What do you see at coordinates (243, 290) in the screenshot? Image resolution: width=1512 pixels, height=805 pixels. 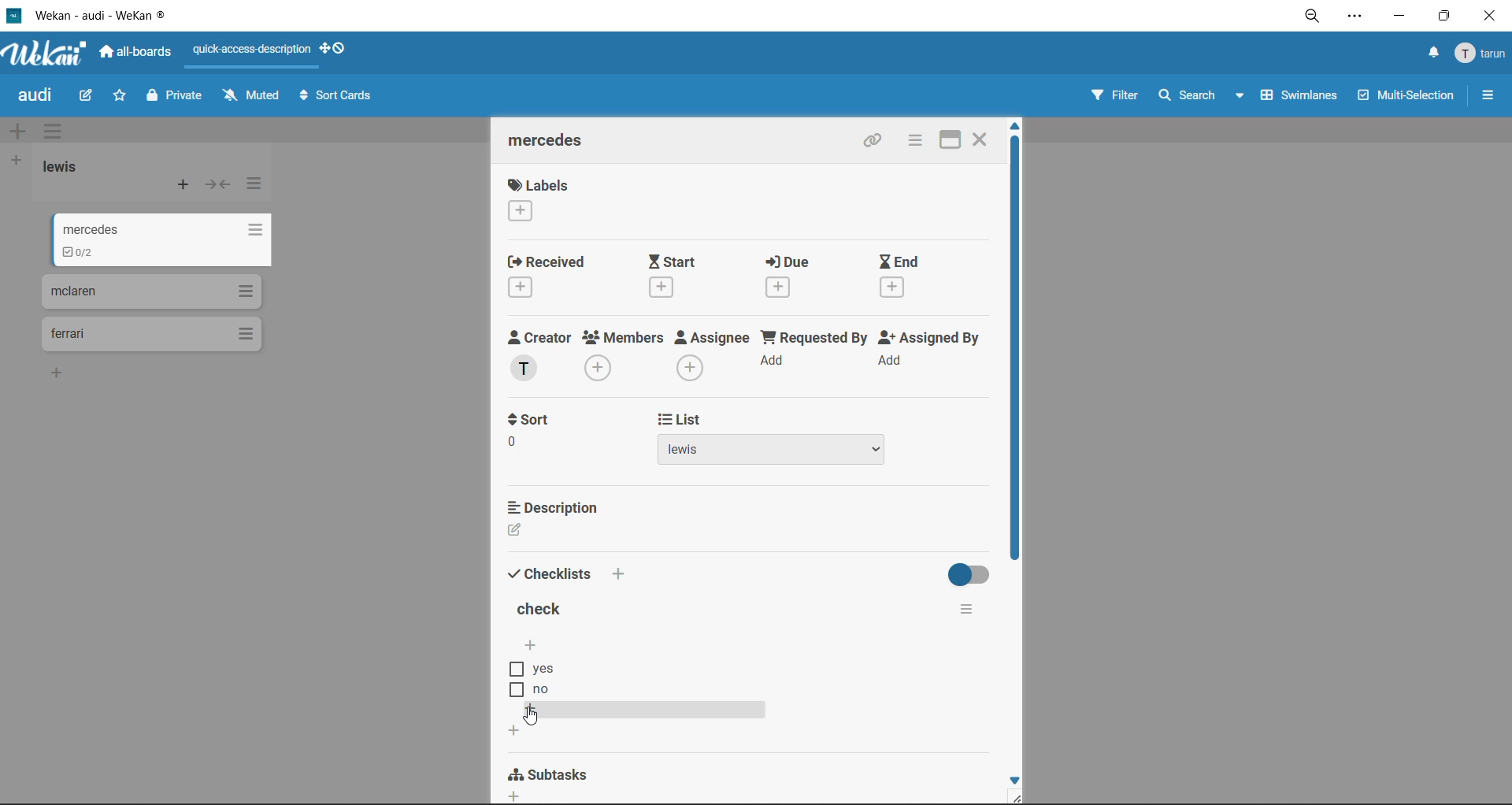 I see `list actions` at bounding box center [243, 290].